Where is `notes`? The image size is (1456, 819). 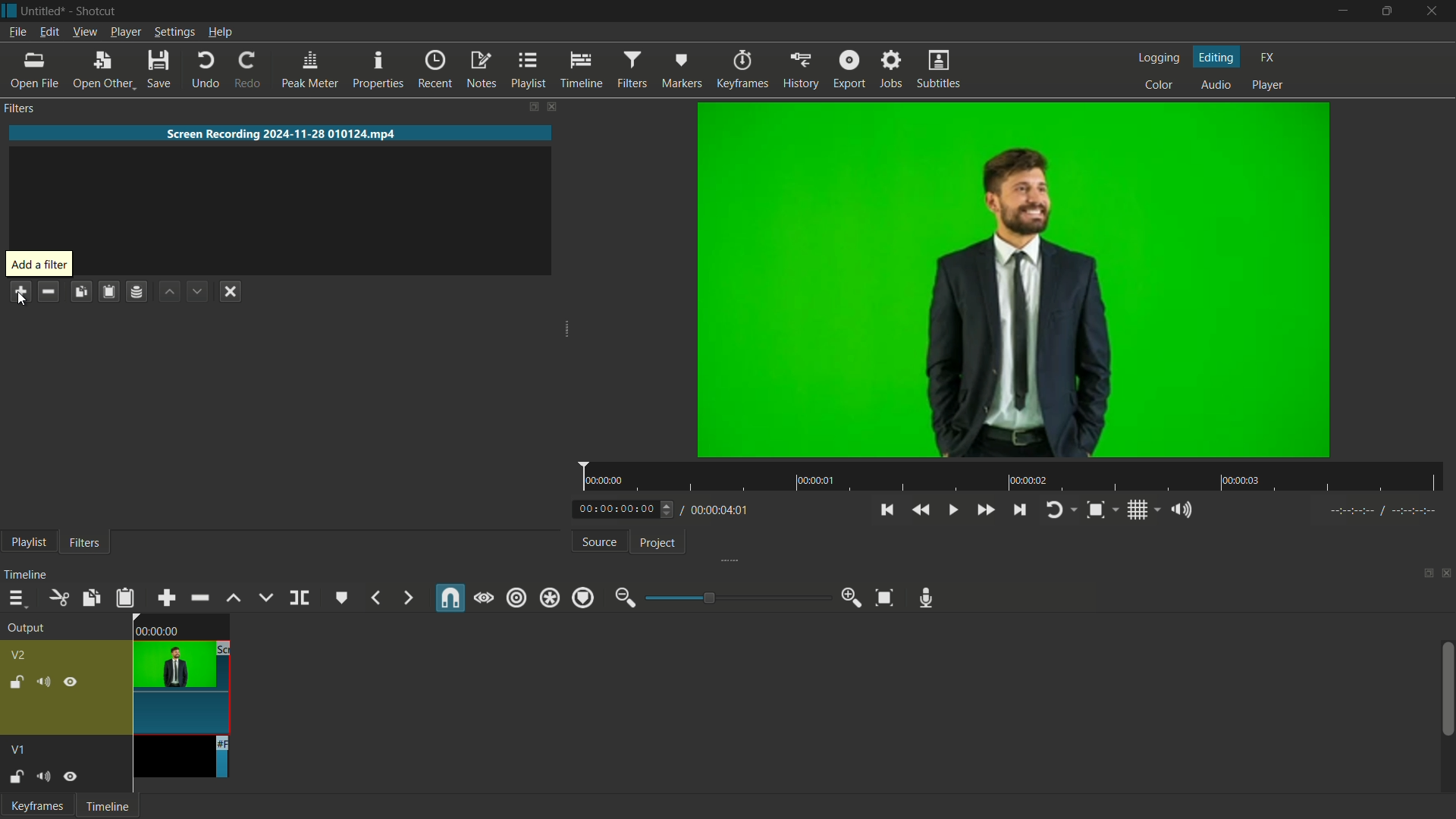
notes is located at coordinates (481, 71).